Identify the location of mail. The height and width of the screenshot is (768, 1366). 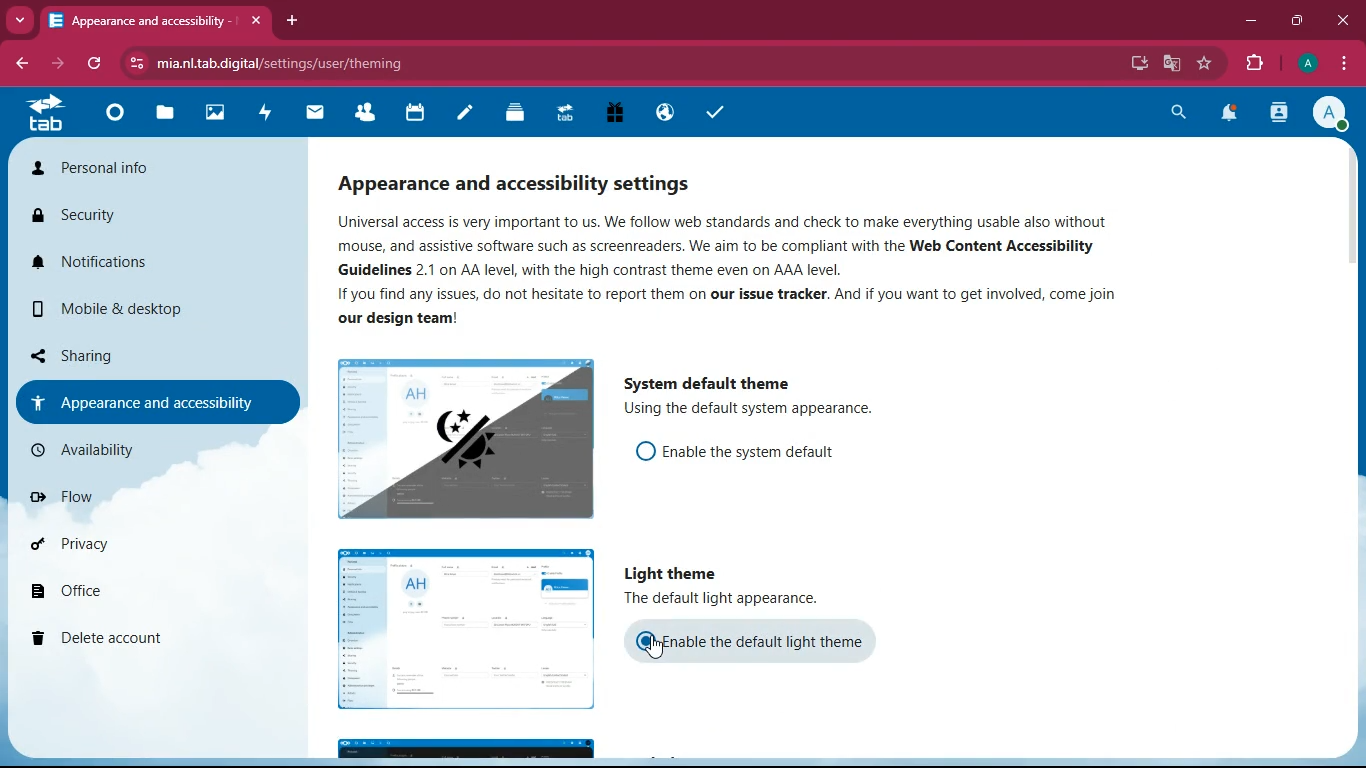
(312, 115).